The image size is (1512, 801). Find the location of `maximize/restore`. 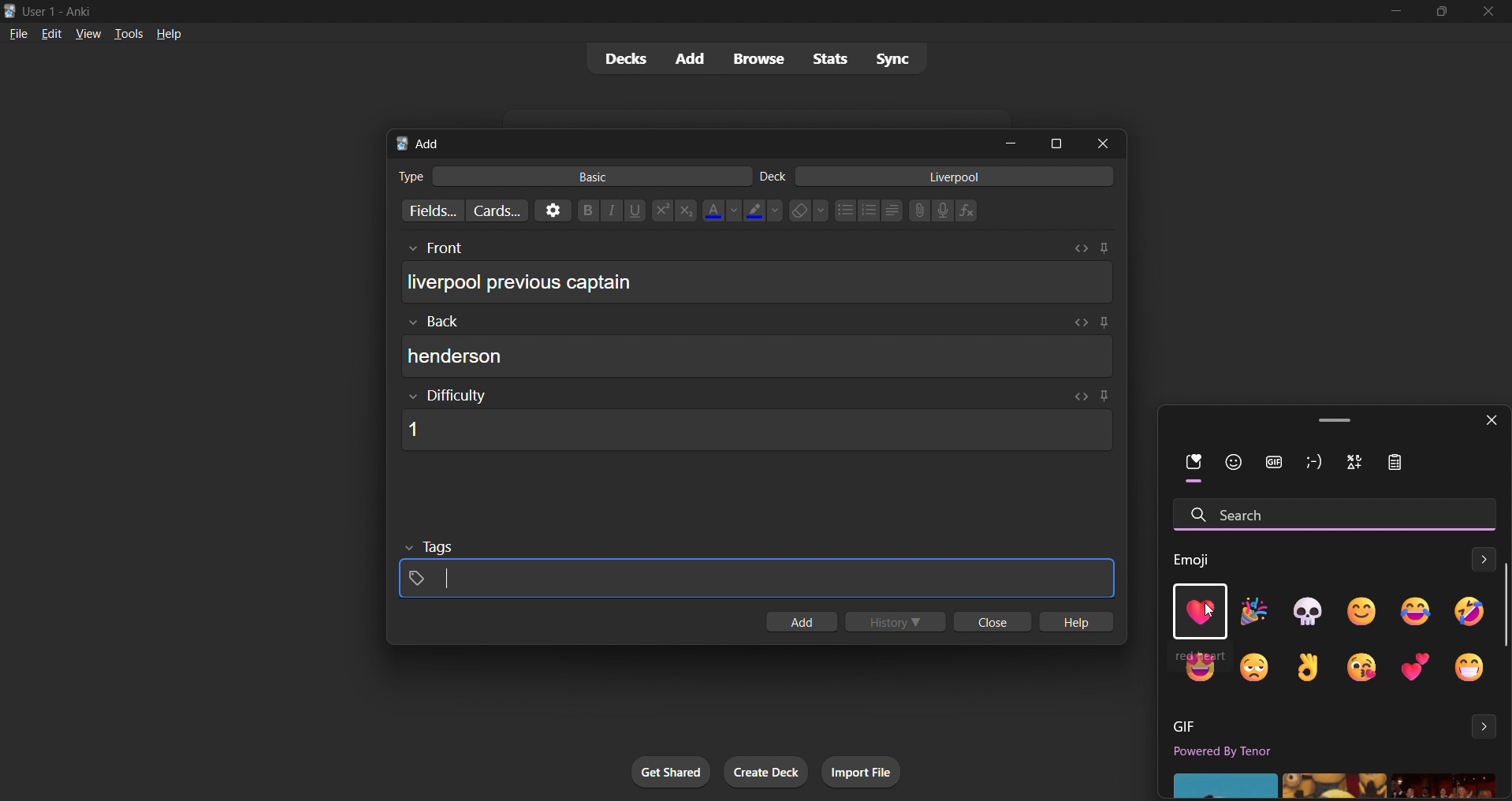

maximize/restore is located at coordinates (1442, 12).